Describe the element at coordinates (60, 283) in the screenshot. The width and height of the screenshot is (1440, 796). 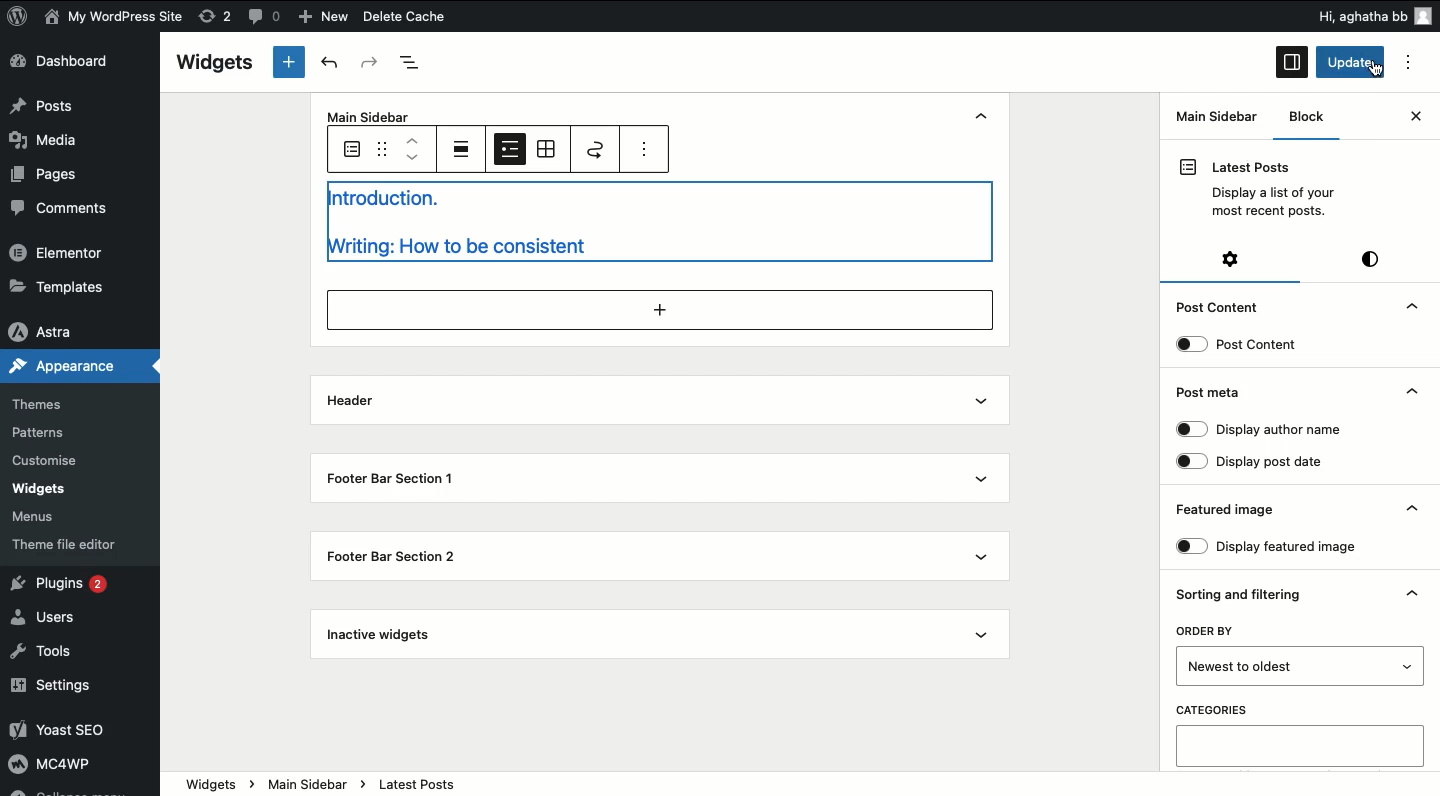
I see `»Templates` at that location.